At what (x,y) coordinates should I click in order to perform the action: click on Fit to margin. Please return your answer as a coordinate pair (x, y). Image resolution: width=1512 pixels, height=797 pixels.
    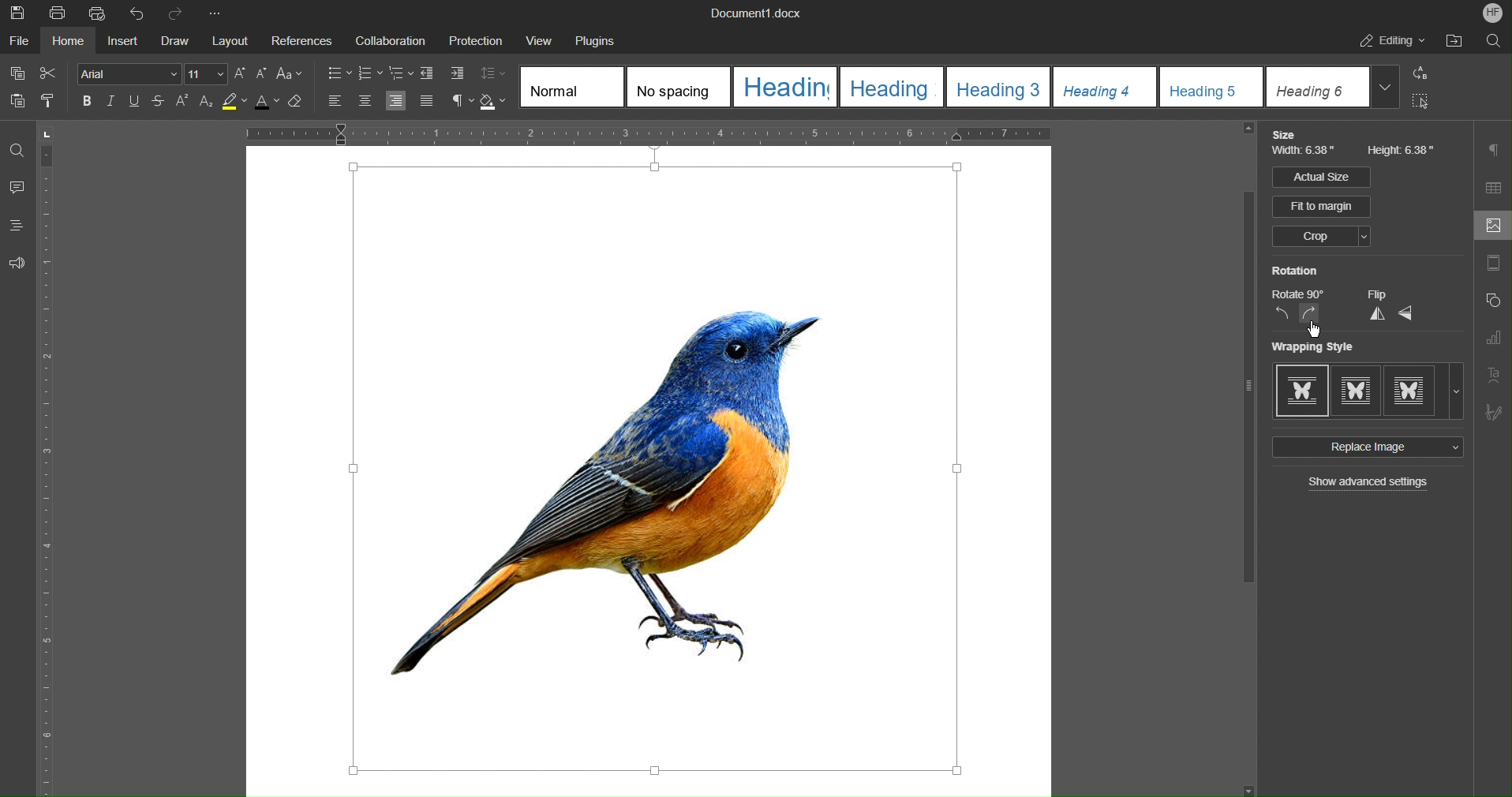
    Looking at the image, I should click on (1281, 207).